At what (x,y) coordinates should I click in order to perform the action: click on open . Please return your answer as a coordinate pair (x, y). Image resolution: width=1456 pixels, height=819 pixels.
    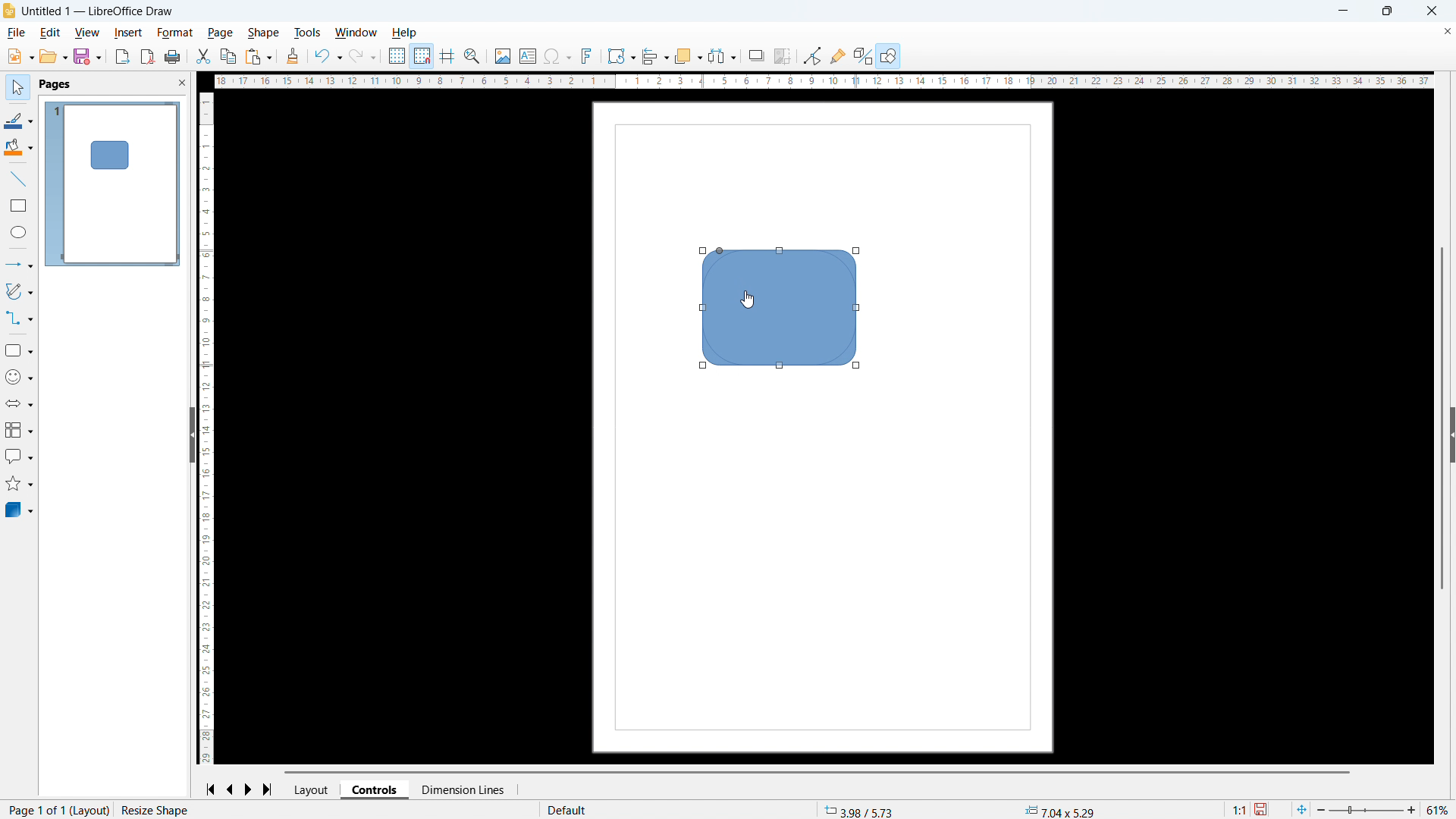
    Looking at the image, I should click on (54, 56).